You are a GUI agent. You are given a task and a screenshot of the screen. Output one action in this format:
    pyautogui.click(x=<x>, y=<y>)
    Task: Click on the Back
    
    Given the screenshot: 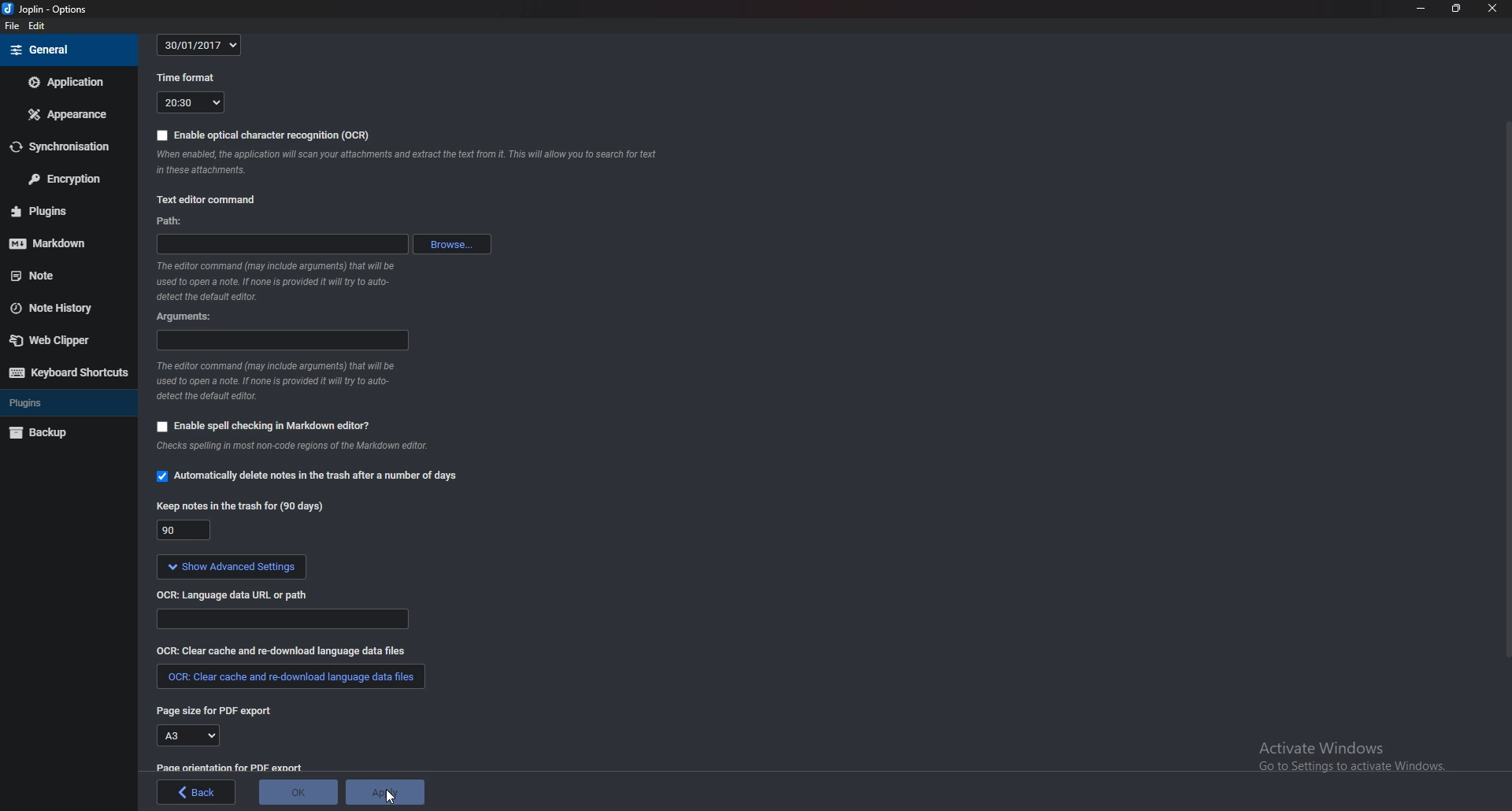 What is the action you would take?
    pyautogui.click(x=197, y=792)
    